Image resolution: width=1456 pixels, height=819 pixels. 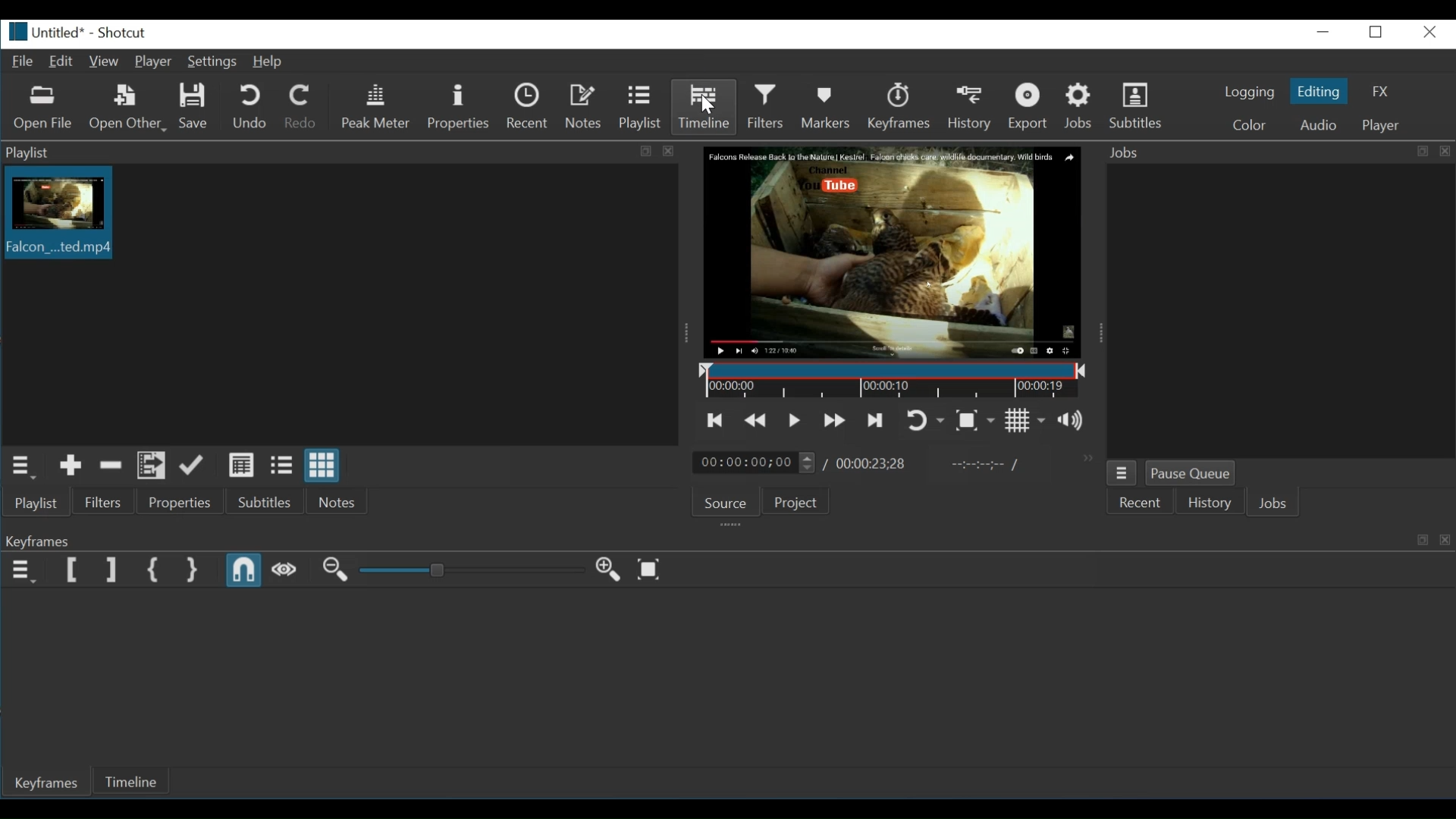 I want to click on Adjust Zoom keyframe , so click(x=475, y=569).